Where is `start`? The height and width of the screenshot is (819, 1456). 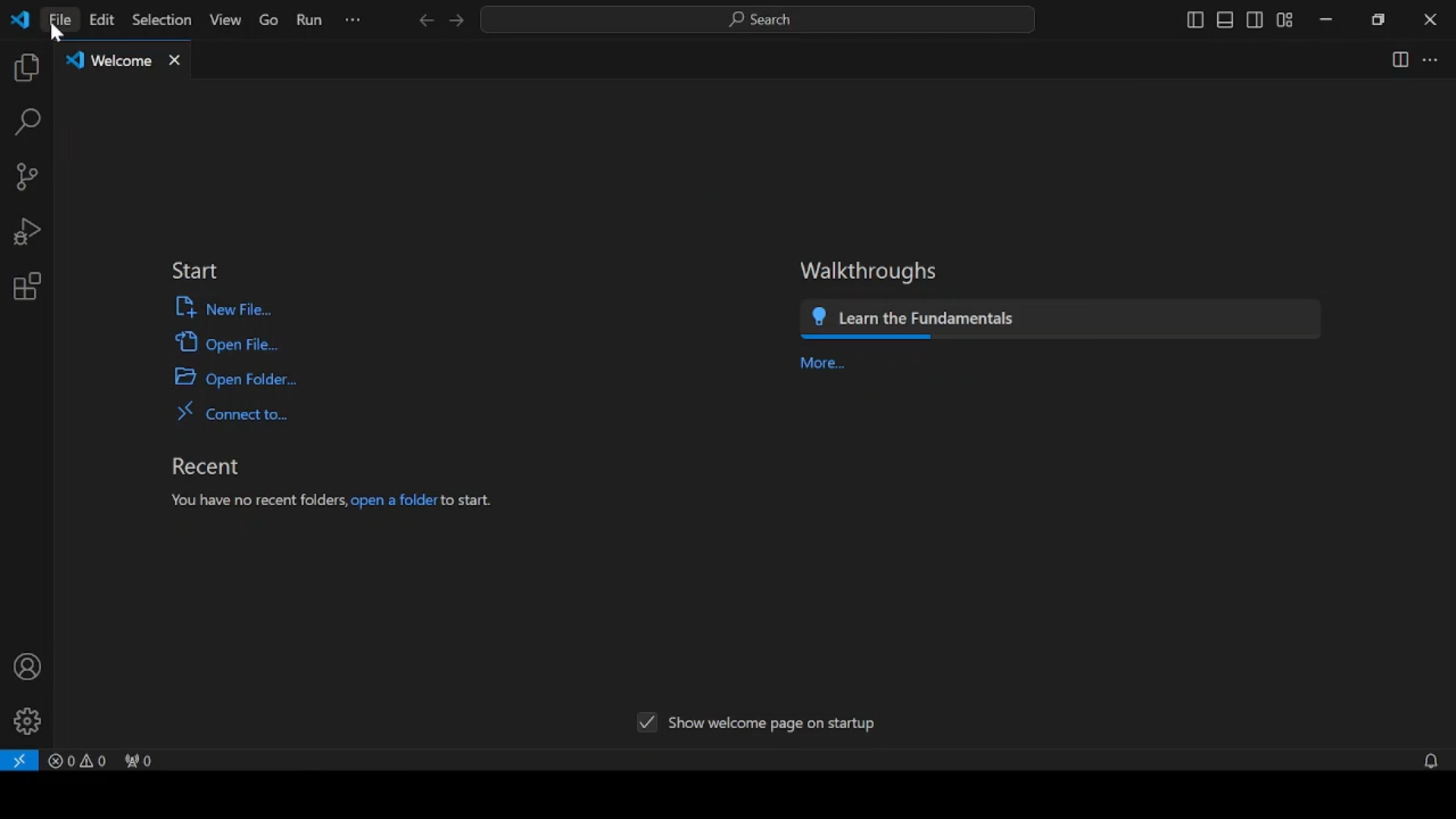 start is located at coordinates (196, 268).